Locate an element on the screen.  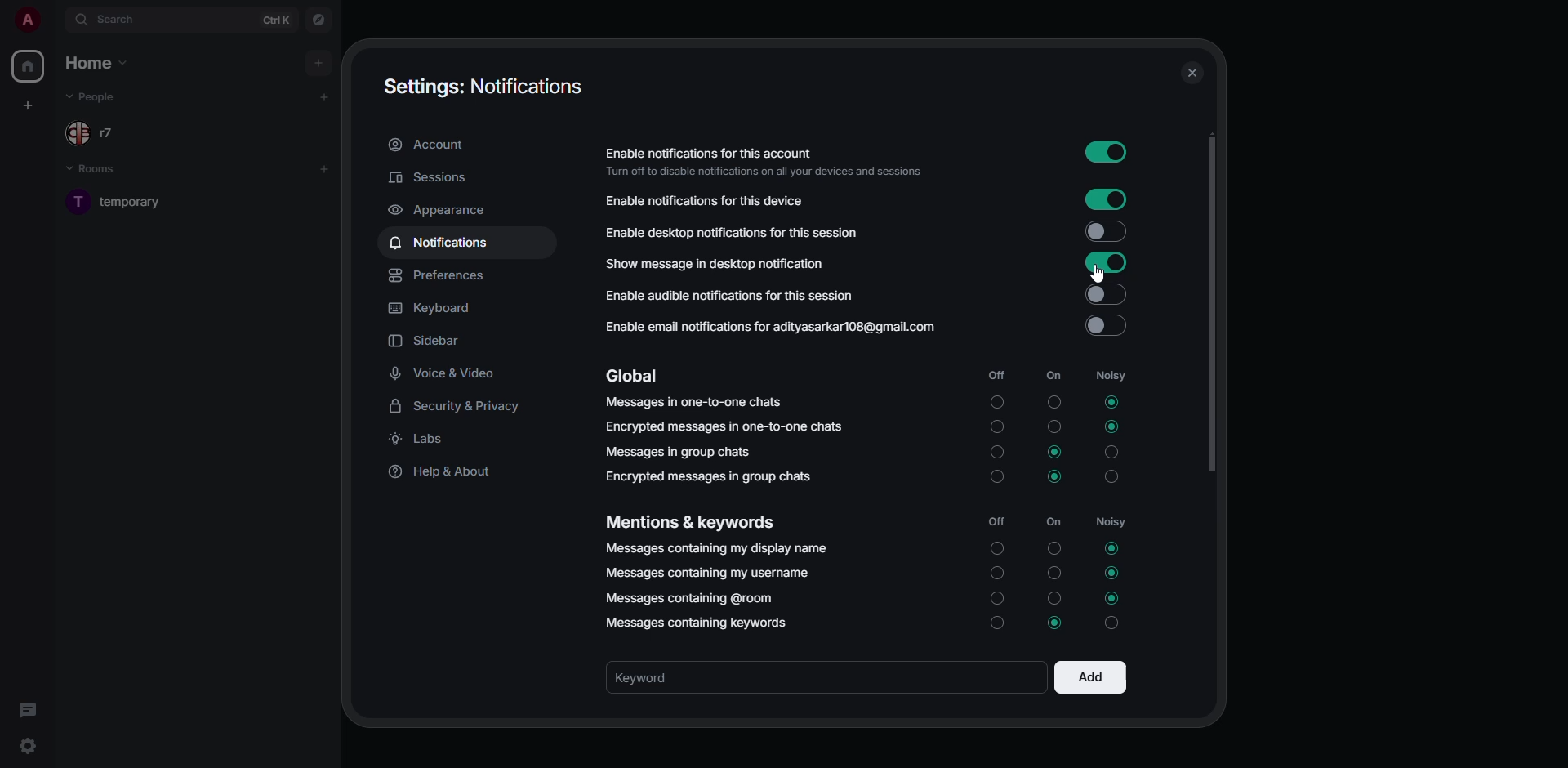
selected is located at coordinates (1055, 477).